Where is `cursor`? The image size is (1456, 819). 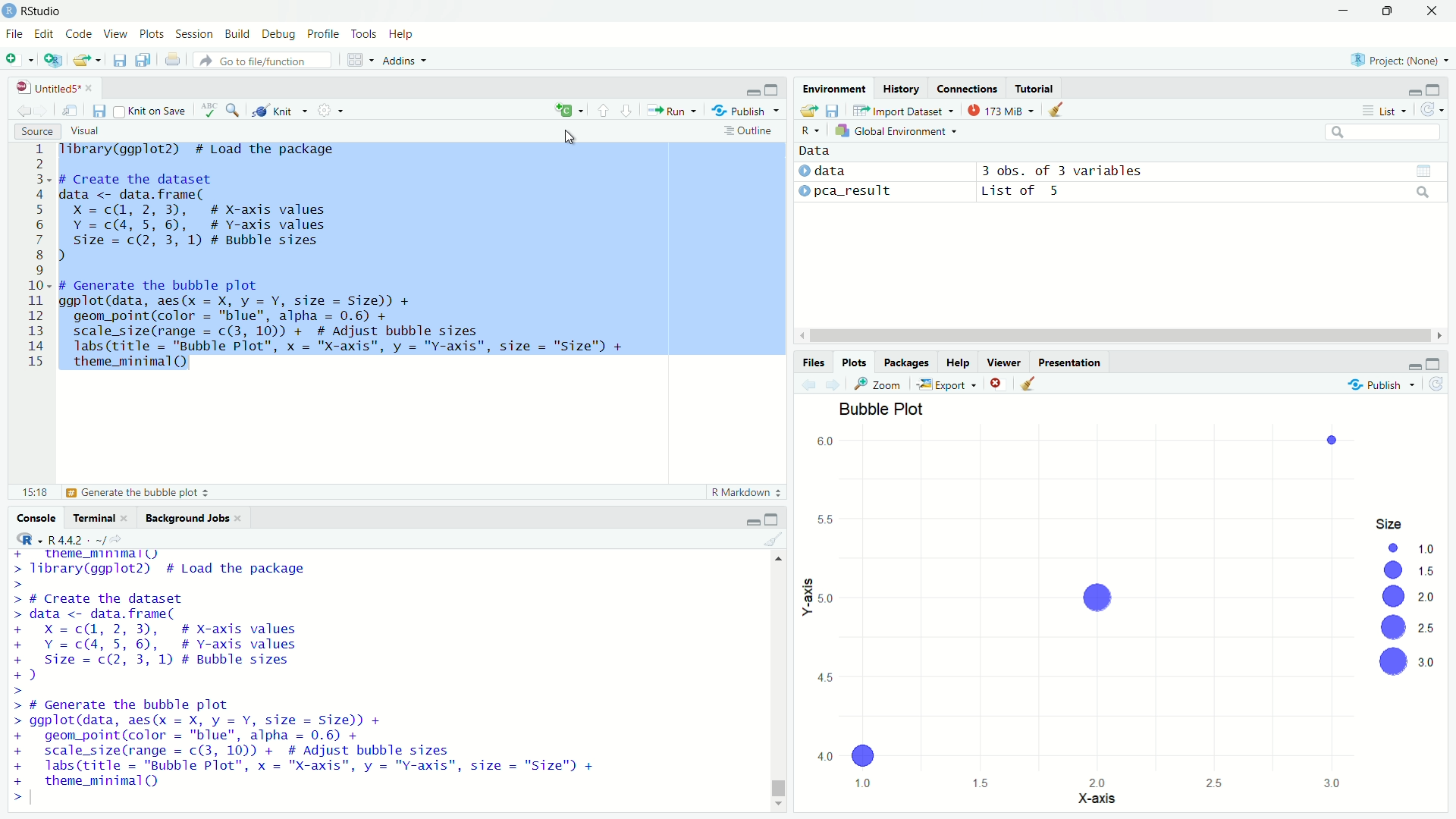
cursor is located at coordinates (566, 136).